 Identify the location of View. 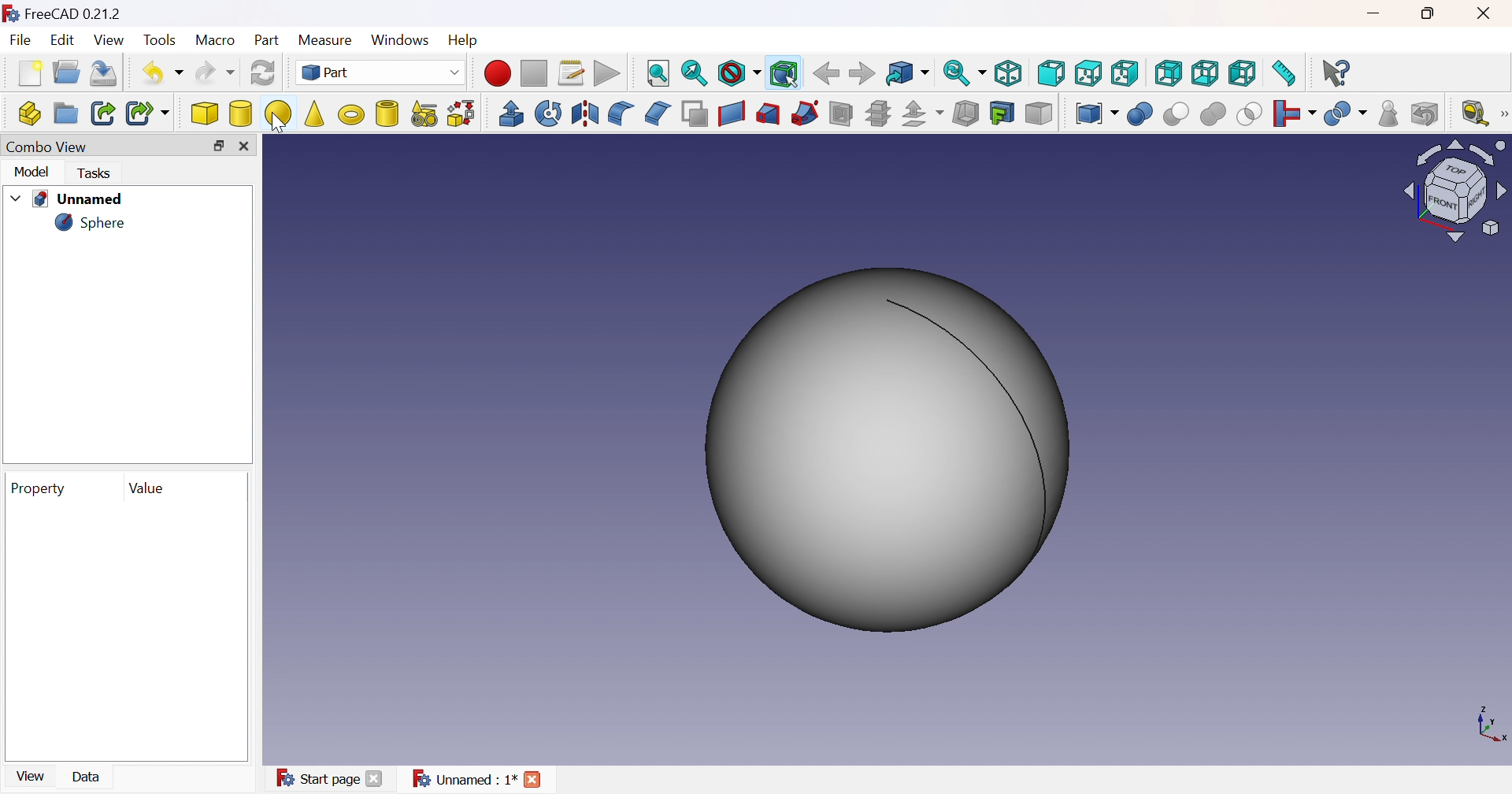
(32, 776).